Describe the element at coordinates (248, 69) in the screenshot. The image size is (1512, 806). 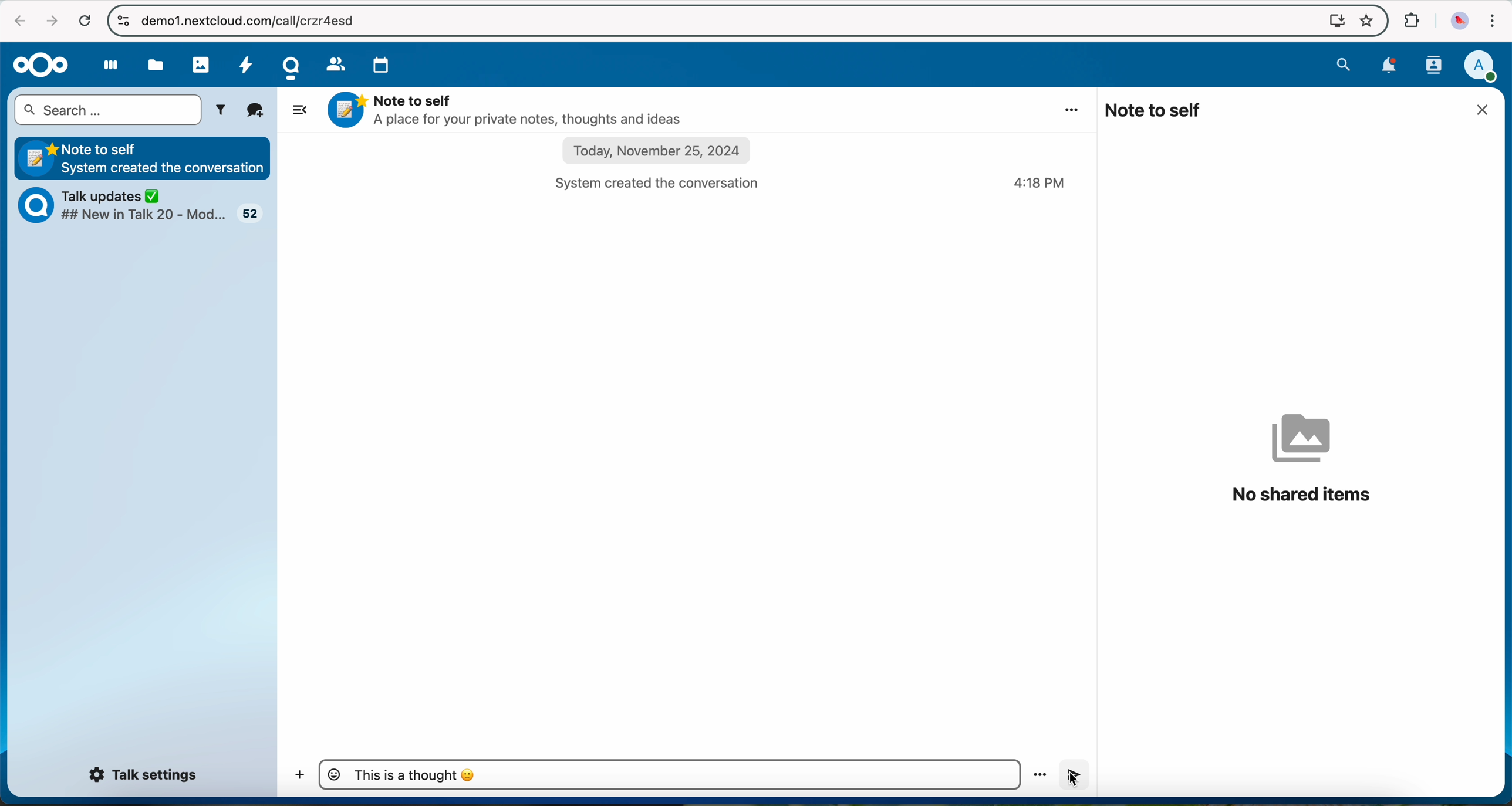
I see `activity` at that location.